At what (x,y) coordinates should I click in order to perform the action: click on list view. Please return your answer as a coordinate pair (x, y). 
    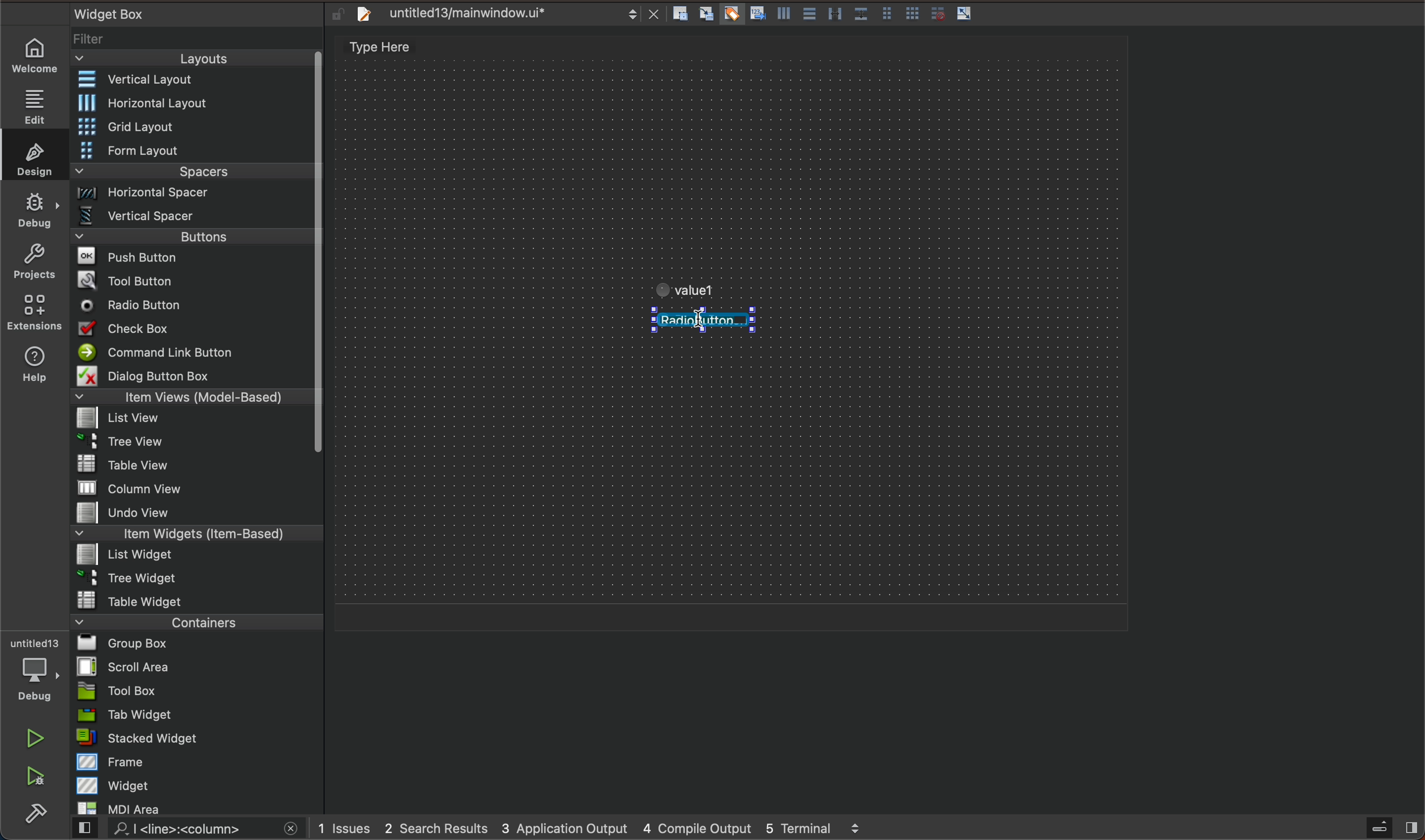
    Looking at the image, I should click on (190, 422).